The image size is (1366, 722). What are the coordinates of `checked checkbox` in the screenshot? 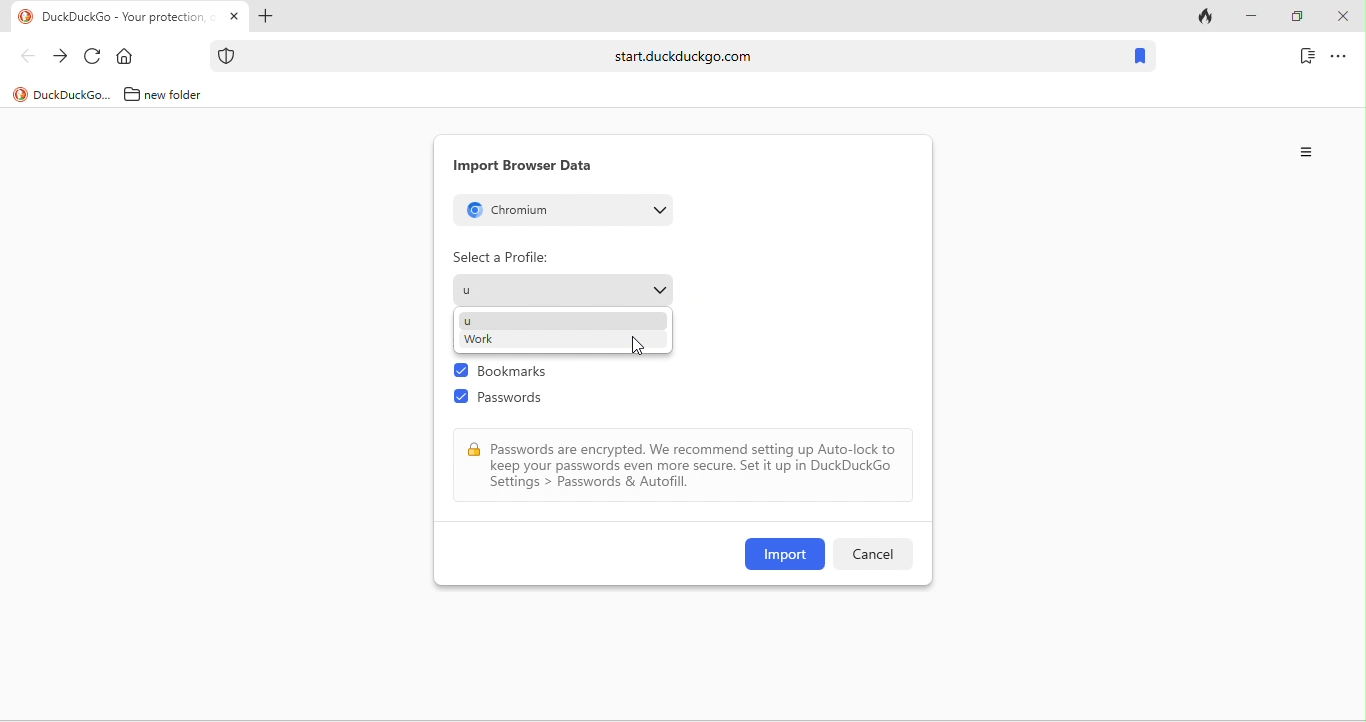 It's located at (461, 397).